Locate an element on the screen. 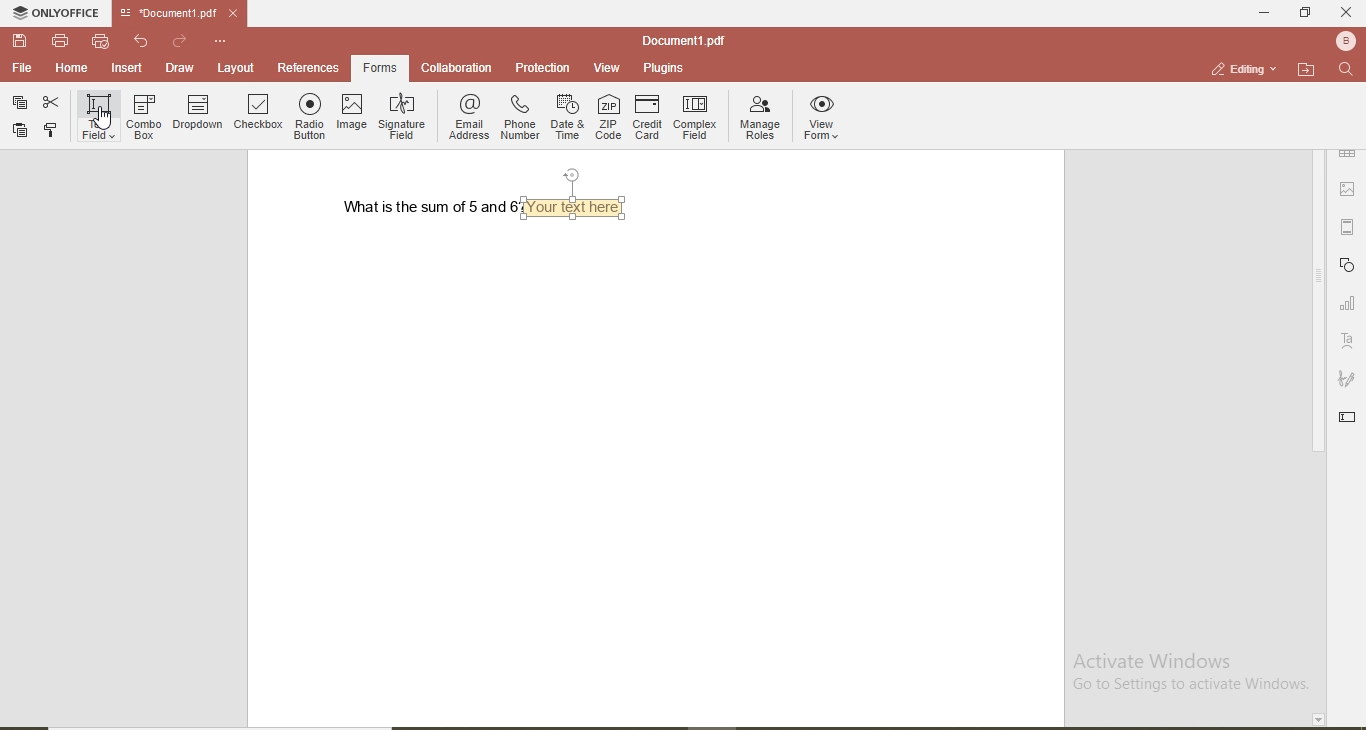  table is located at coordinates (1349, 152).